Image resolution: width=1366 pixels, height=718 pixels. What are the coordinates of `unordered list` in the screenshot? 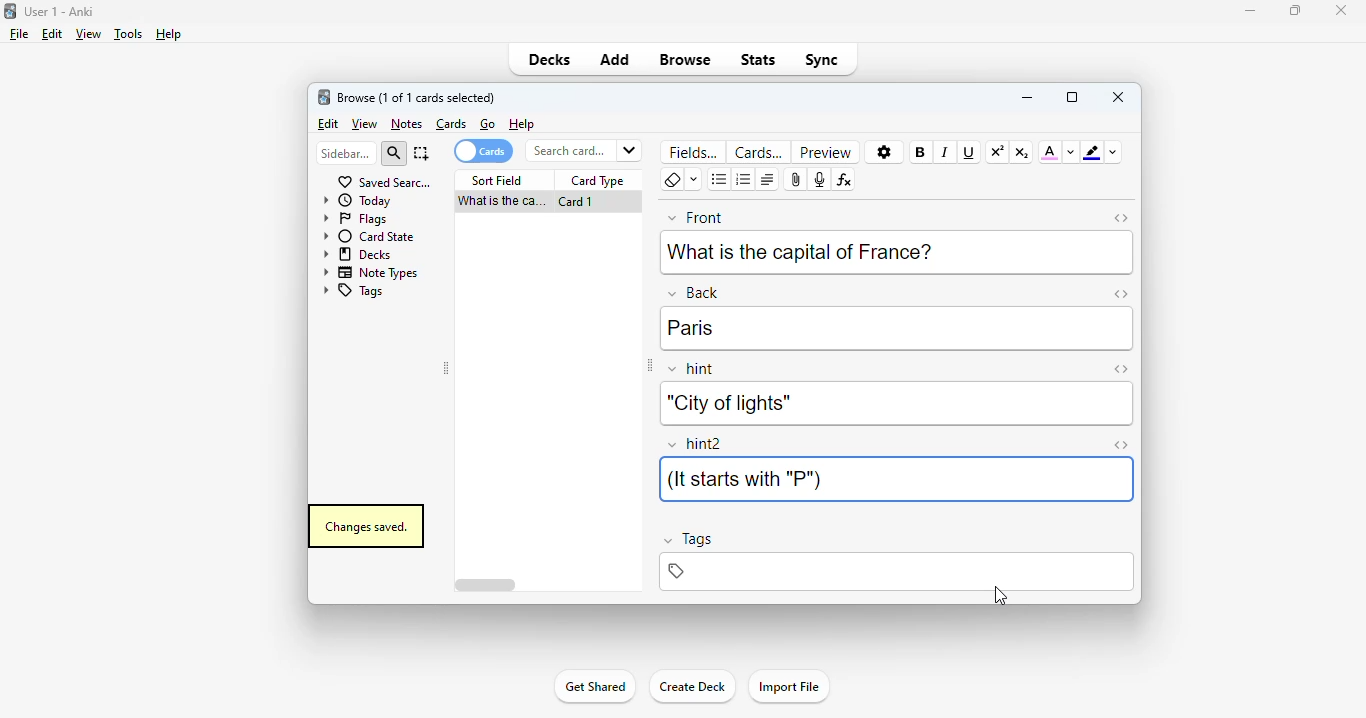 It's located at (720, 180).